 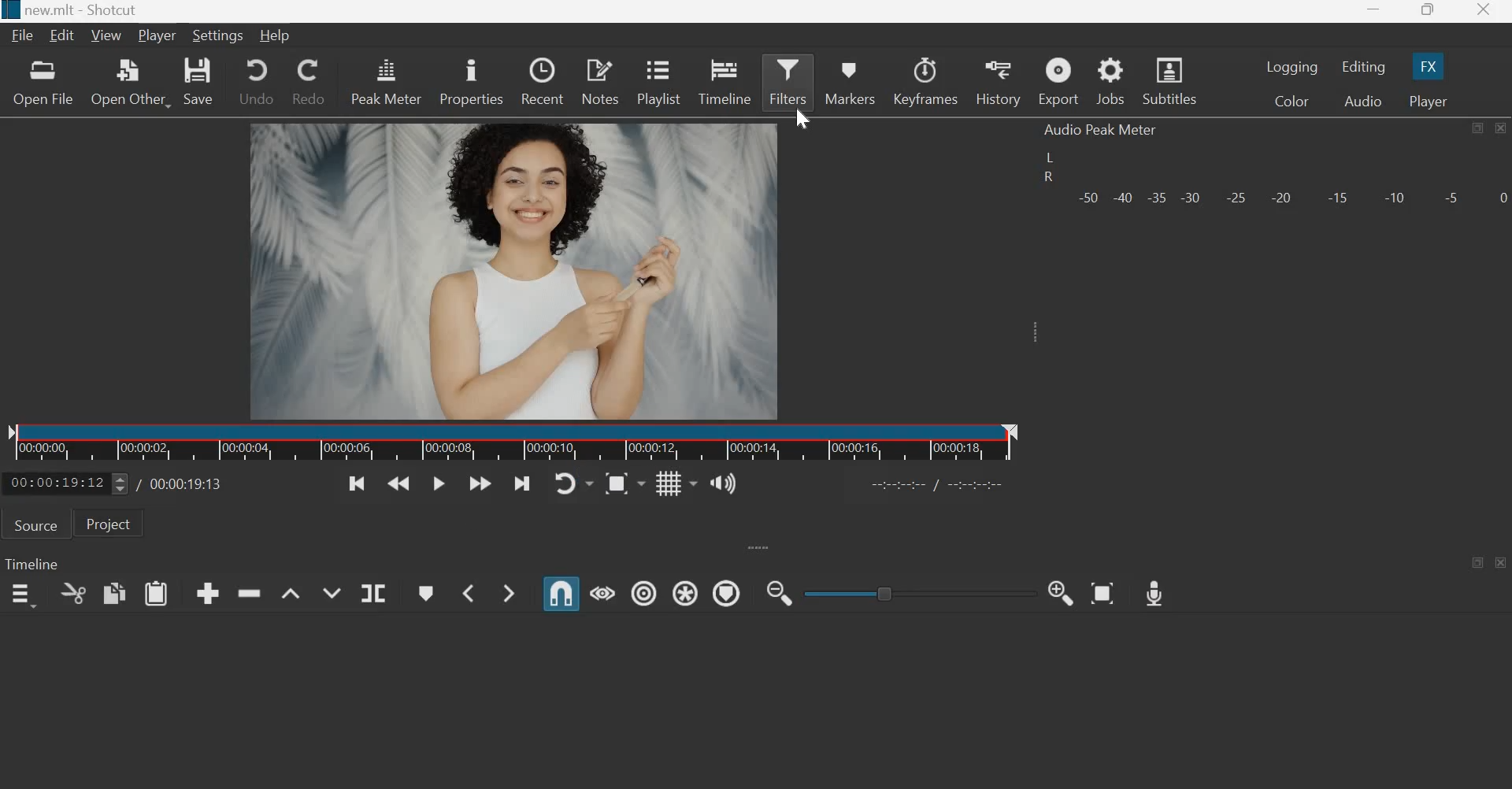 I want to click on peak meter, so click(x=387, y=80).